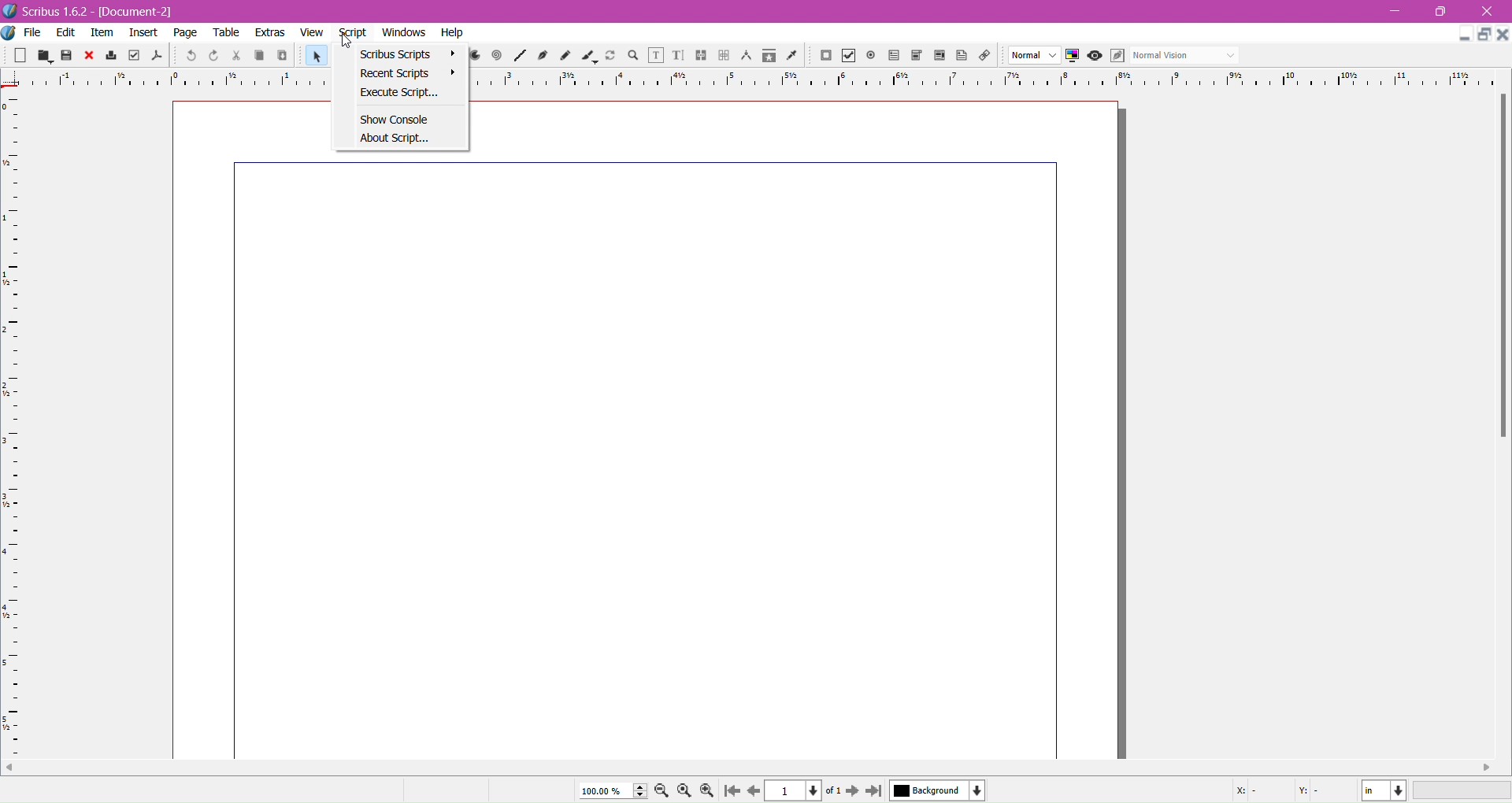  I want to click on Cursor coordinate - Y, so click(1327, 790).